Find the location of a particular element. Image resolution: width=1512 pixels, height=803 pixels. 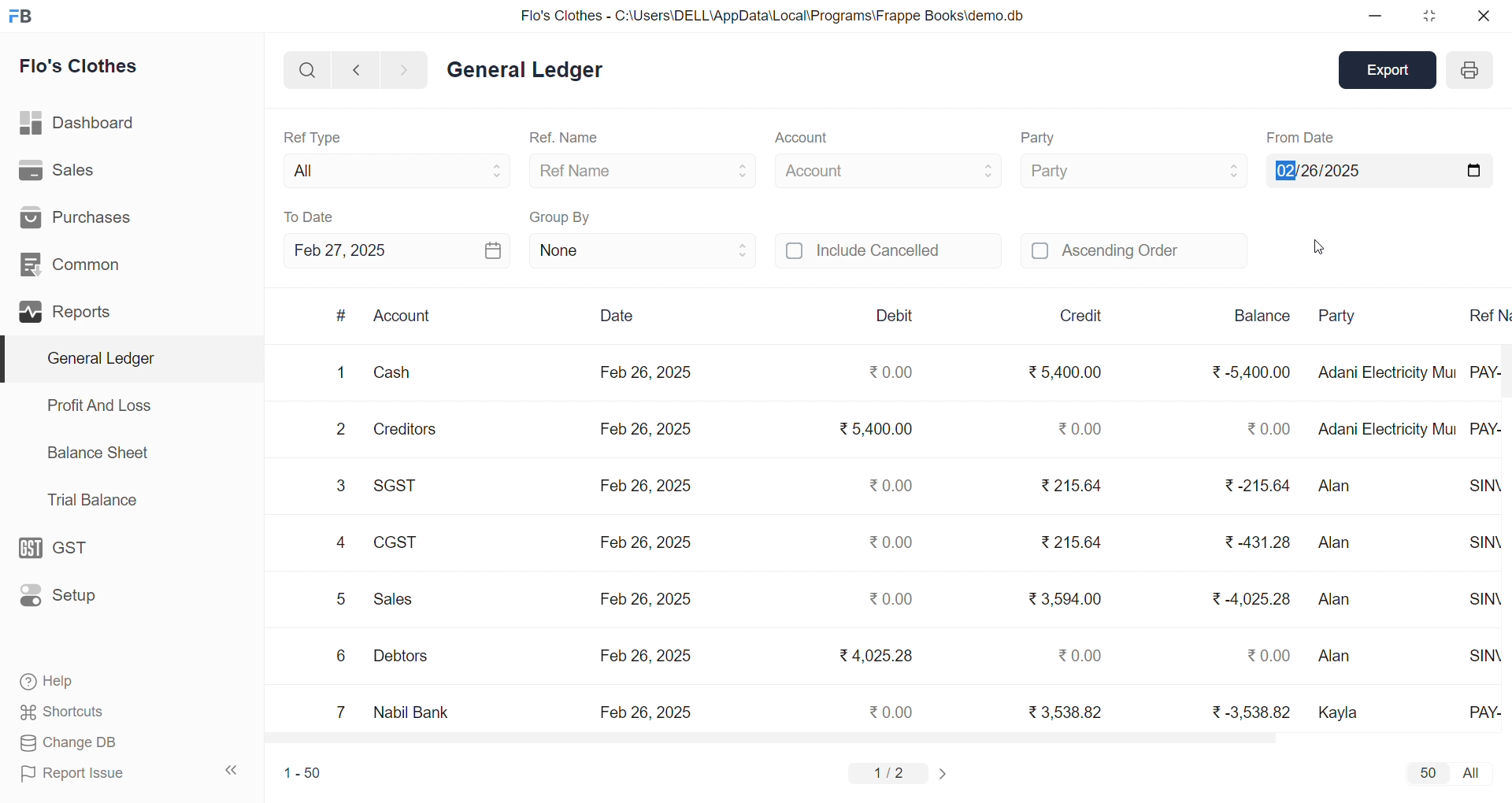

₹-4,025.28 is located at coordinates (1251, 598).